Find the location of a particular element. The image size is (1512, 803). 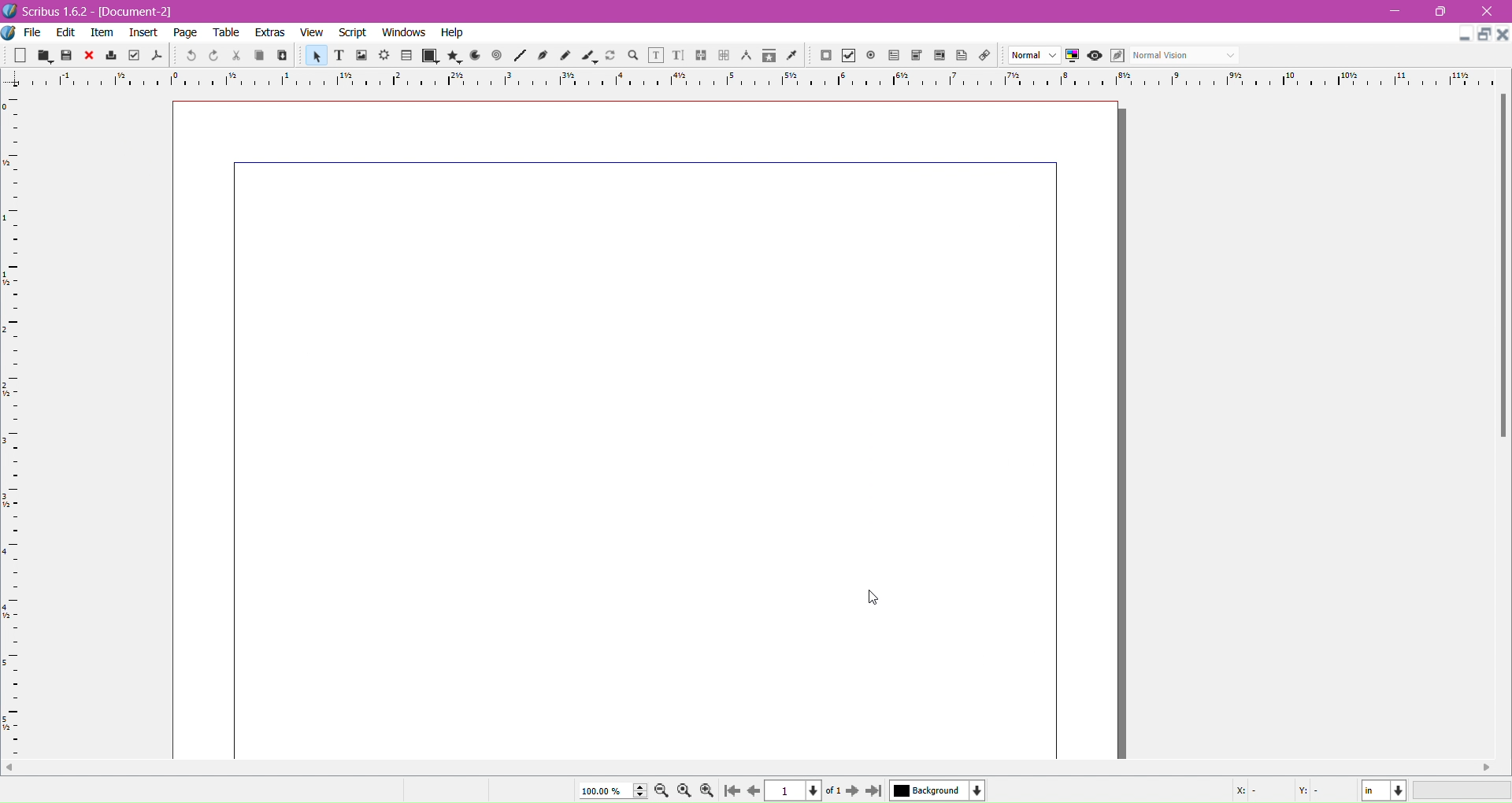

icon is located at coordinates (1070, 55).